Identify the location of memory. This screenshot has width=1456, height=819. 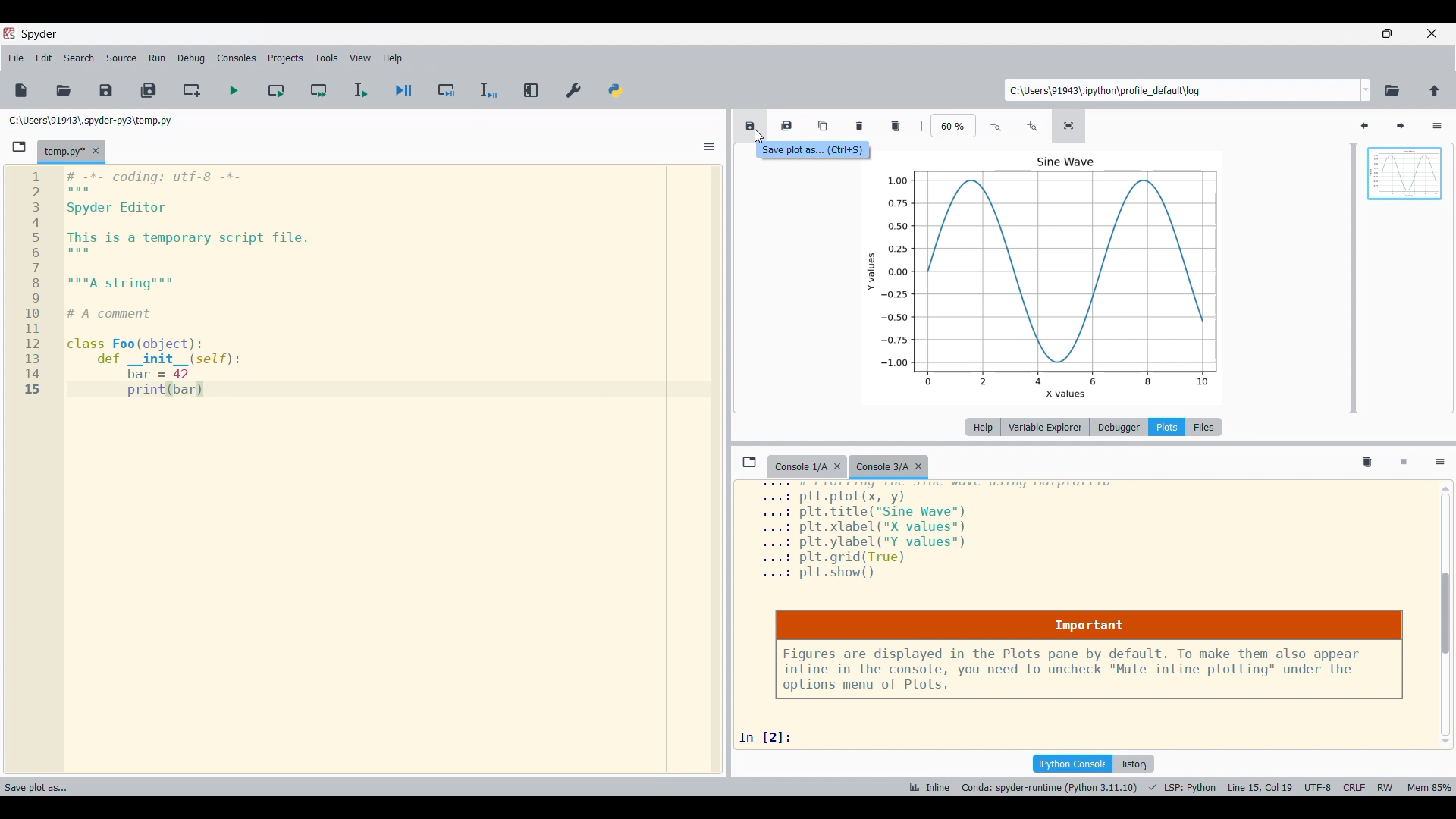
(1430, 786).